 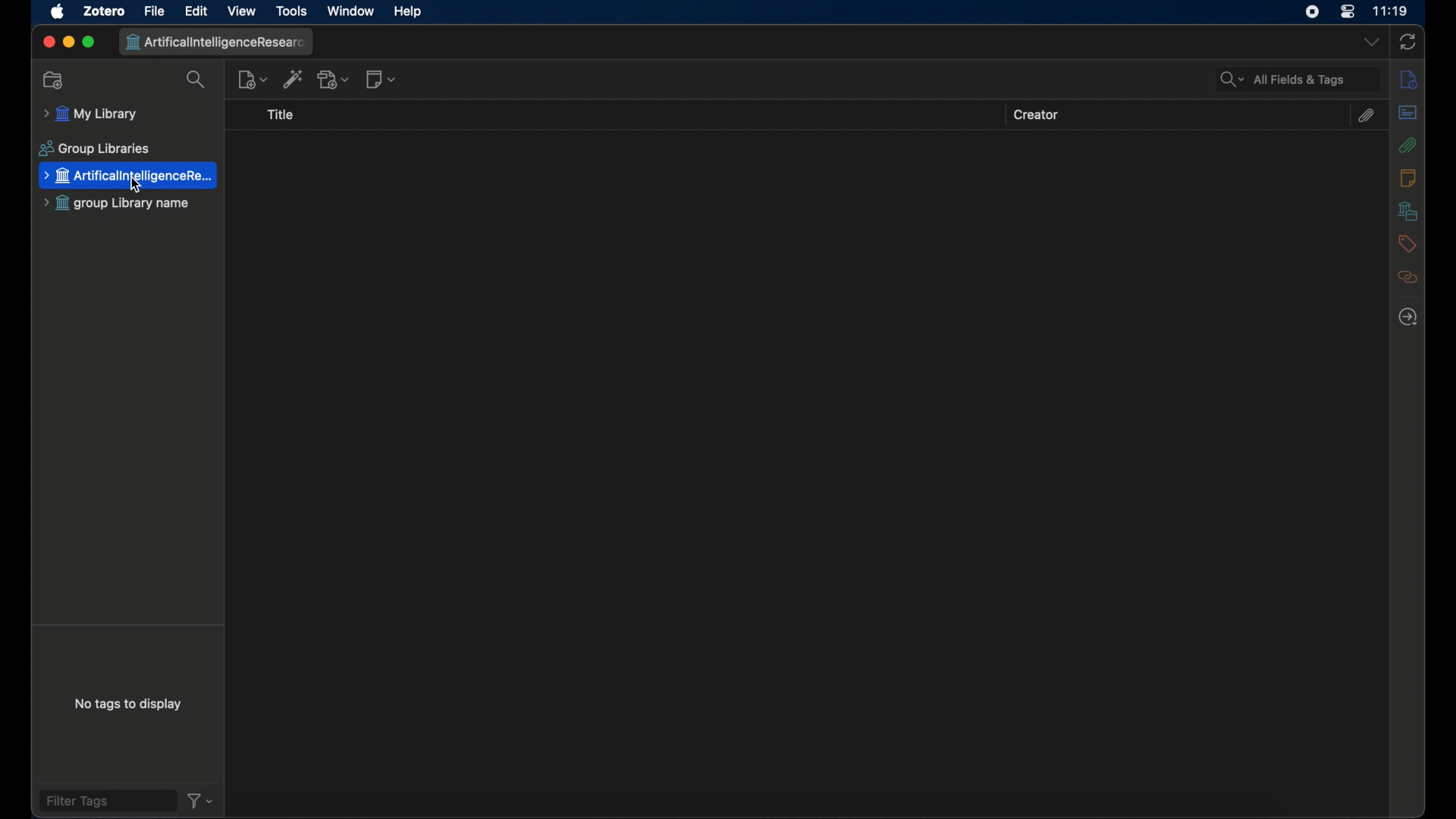 I want to click on creator, so click(x=1037, y=115).